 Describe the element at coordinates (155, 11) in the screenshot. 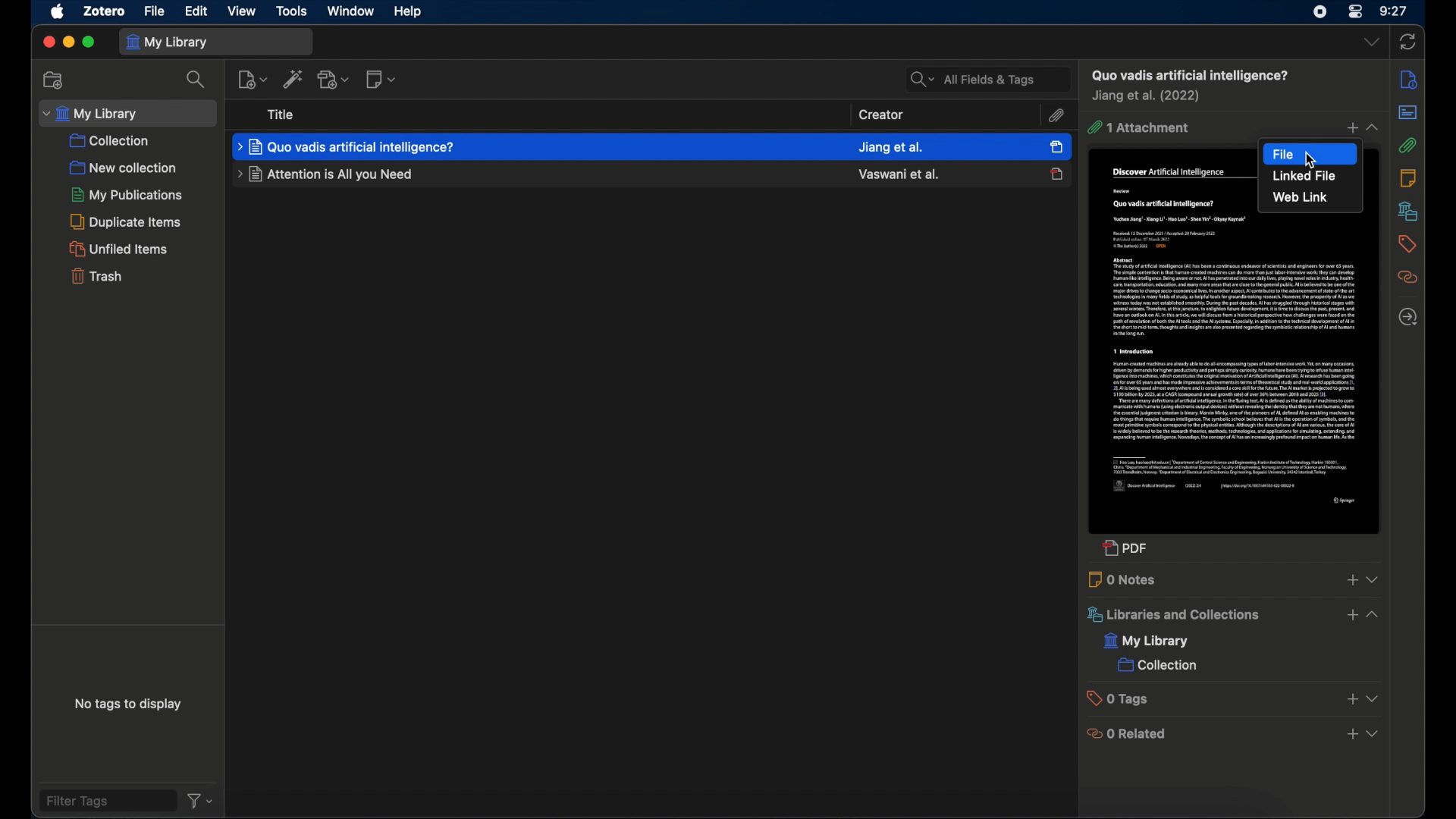

I see `file` at that location.